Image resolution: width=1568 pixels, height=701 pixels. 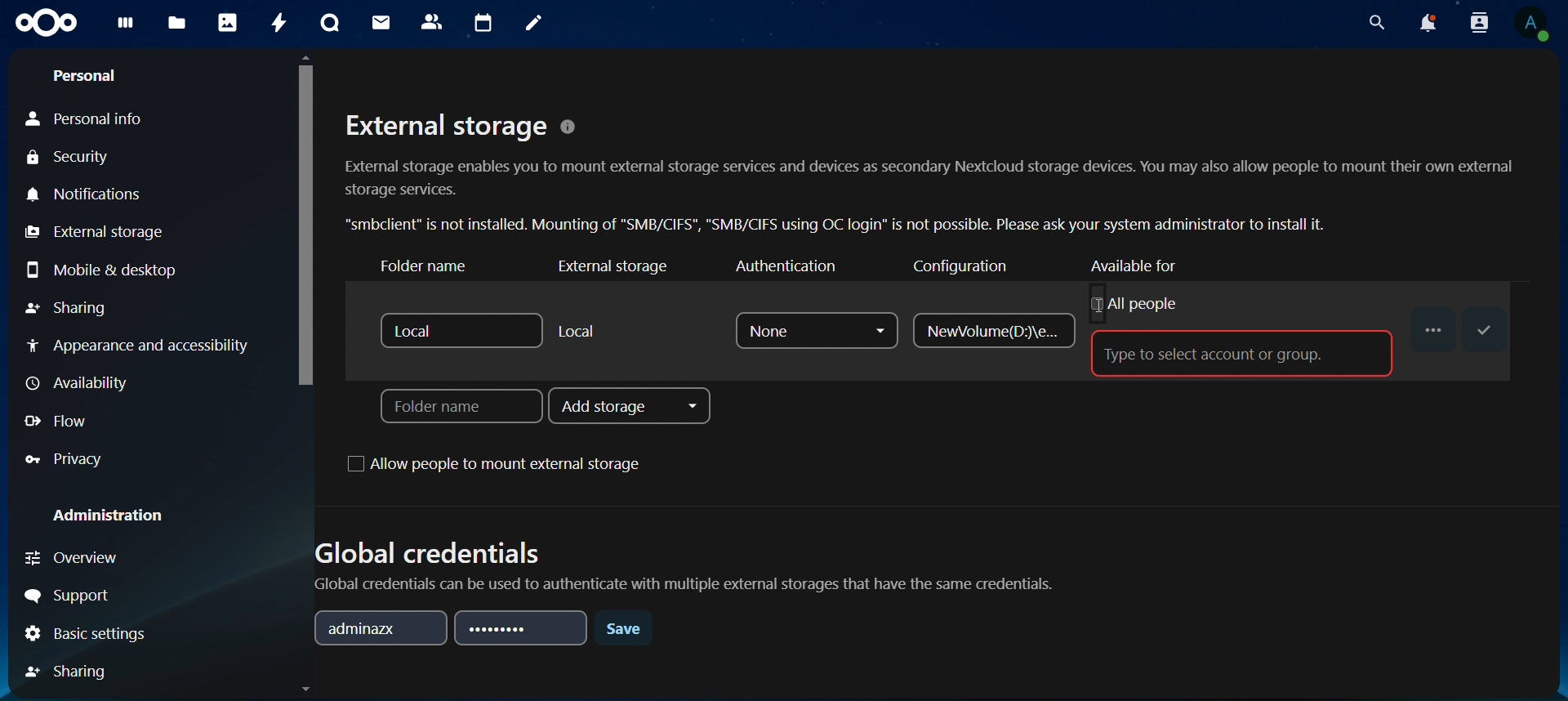 What do you see at coordinates (69, 308) in the screenshot?
I see `sharing` at bounding box center [69, 308].